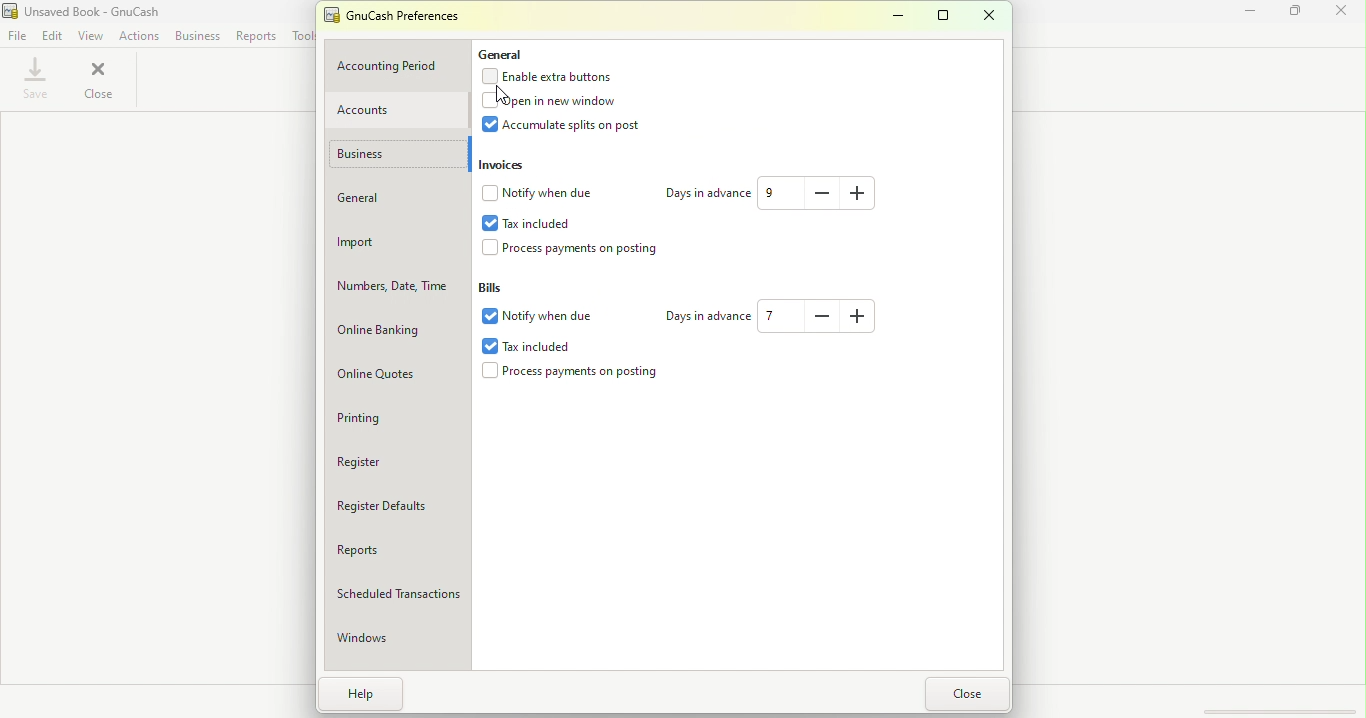 The height and width of the screenshot is (718, 1366). What do you see at coordinates (823, 316) in the screenshot?
I see `Decrease` at bounding box center [823, 316].